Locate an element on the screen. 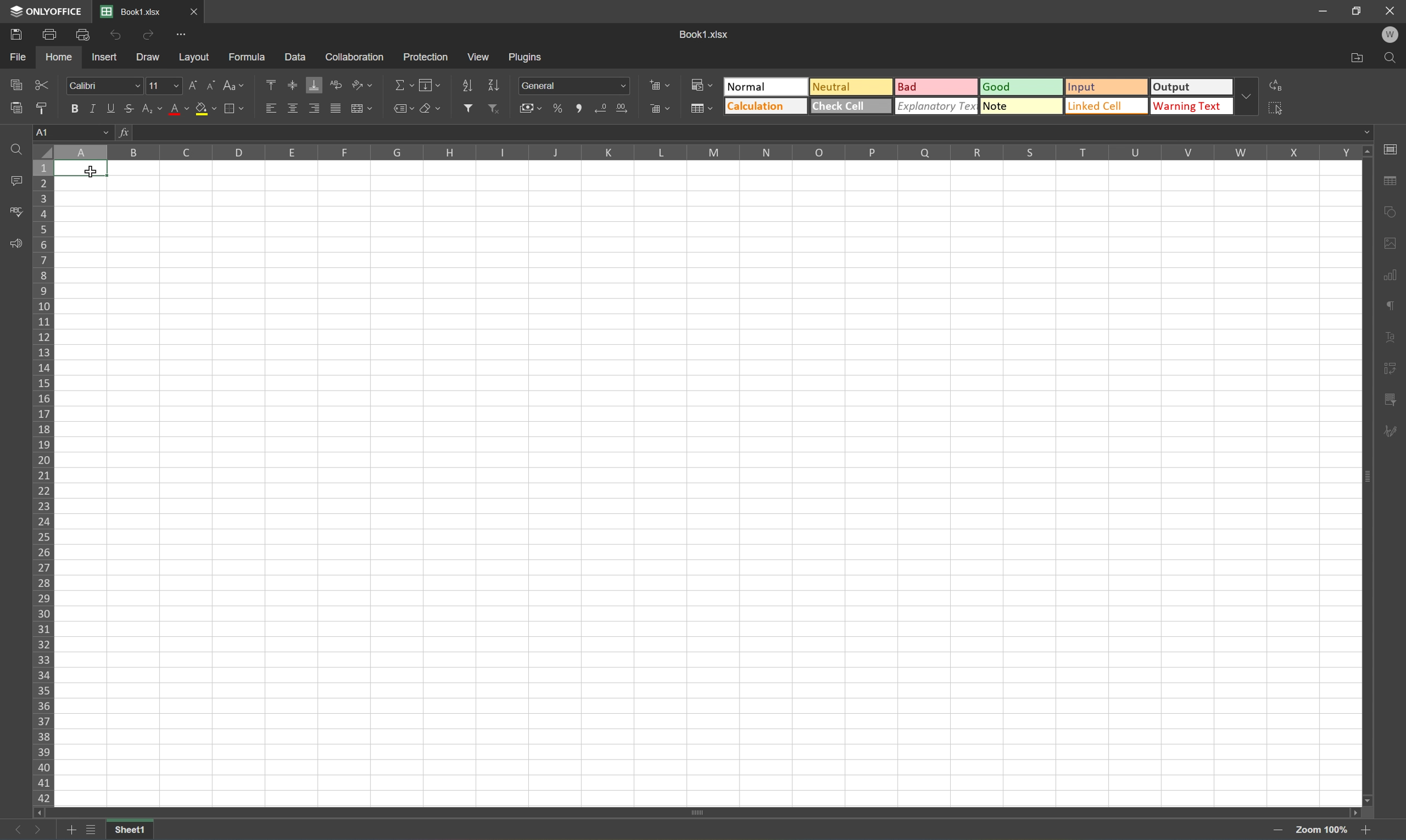 The width and height of the screenshot is (1406, 840). Scroll bar is located at coordinates (695, 811).